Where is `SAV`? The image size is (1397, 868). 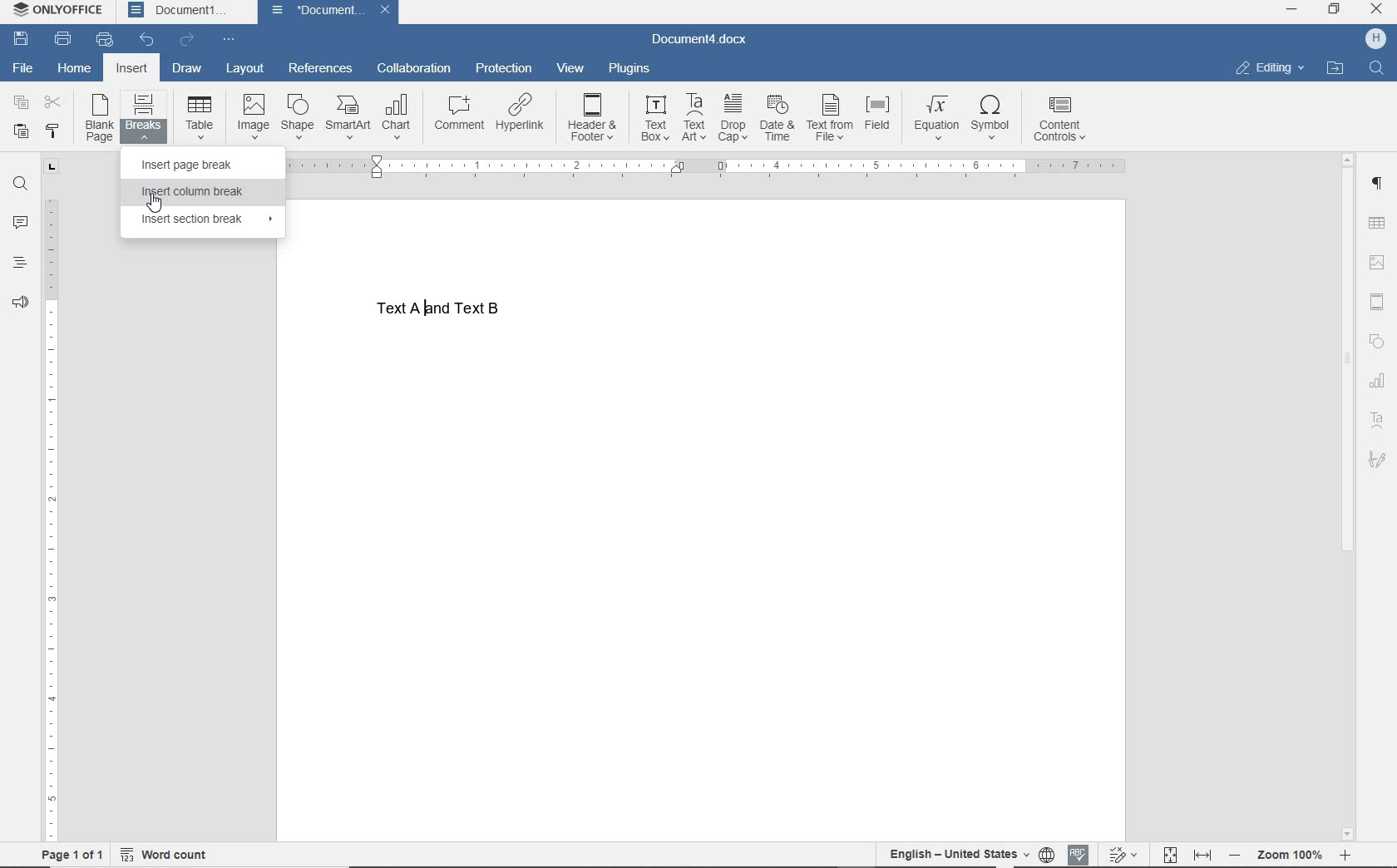
SAV is located at coordinates (18, 40).